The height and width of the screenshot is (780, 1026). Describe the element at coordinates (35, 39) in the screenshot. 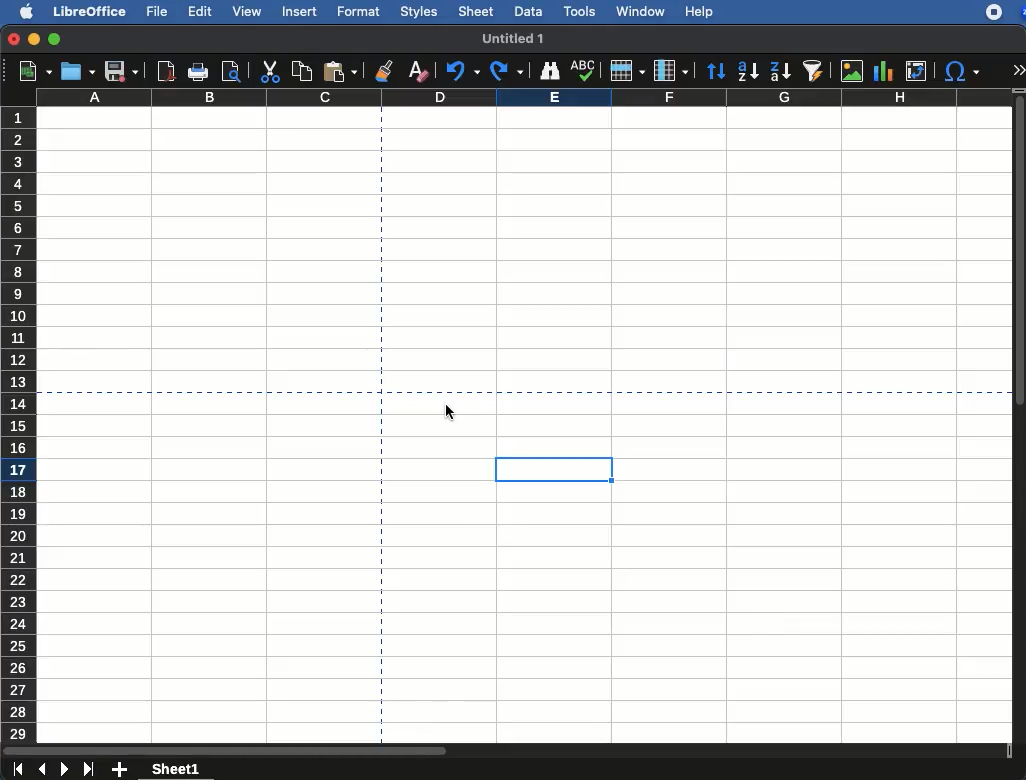

I see `minimize` at that location.